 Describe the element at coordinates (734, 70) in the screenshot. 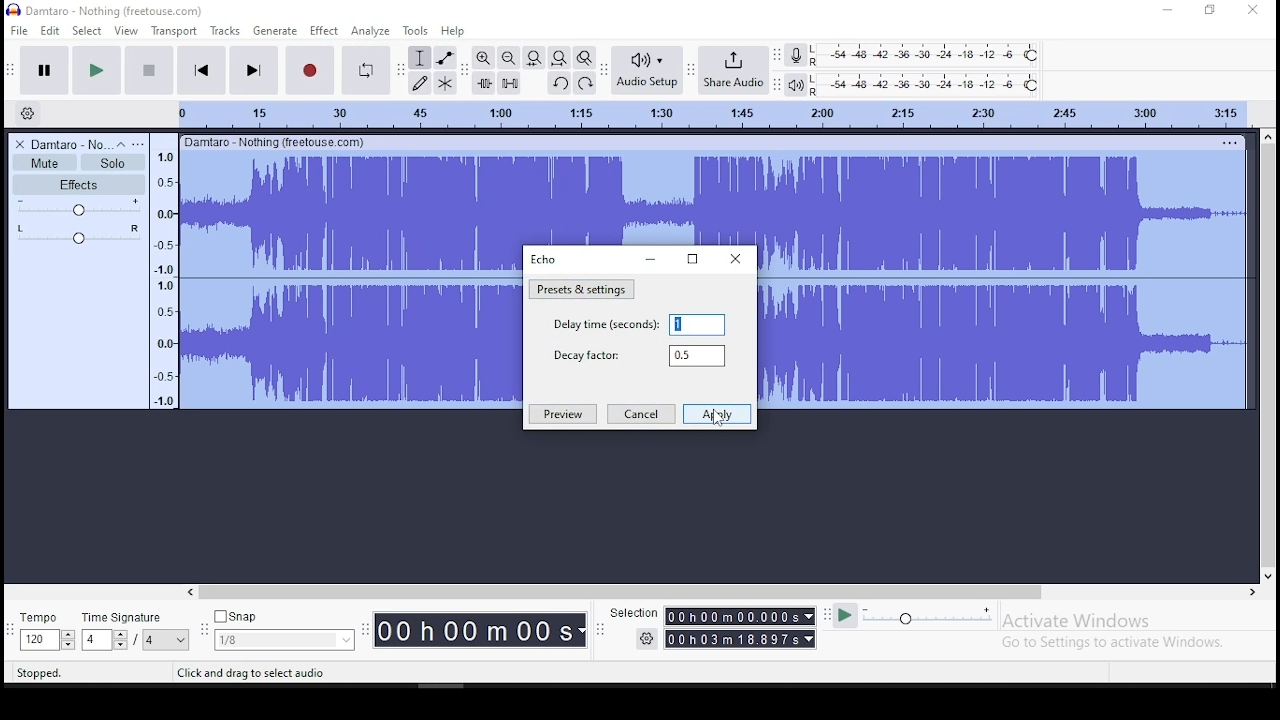

I see `share audio` at that location.